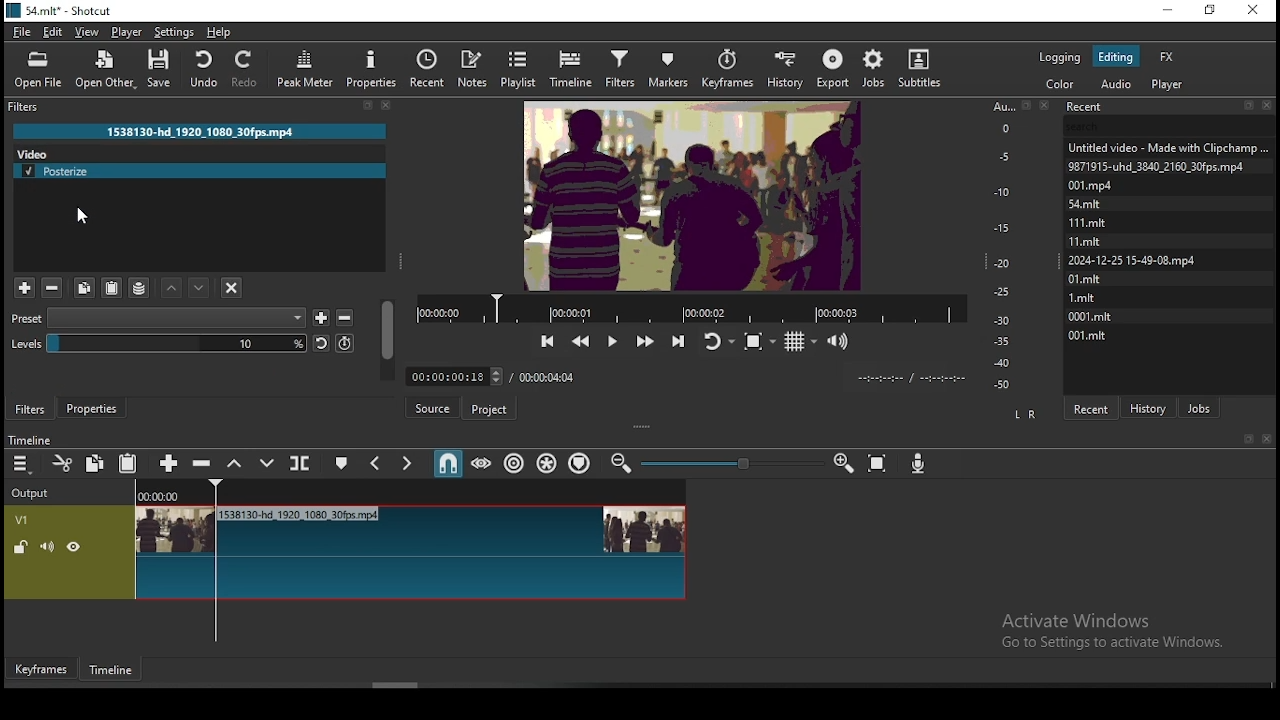 The height and width of the screenshot is (720, 1280). What do you see at coordinates (53, 288) in the screenshot?
I see `remove selected filters` at bounding box center [53, 288].